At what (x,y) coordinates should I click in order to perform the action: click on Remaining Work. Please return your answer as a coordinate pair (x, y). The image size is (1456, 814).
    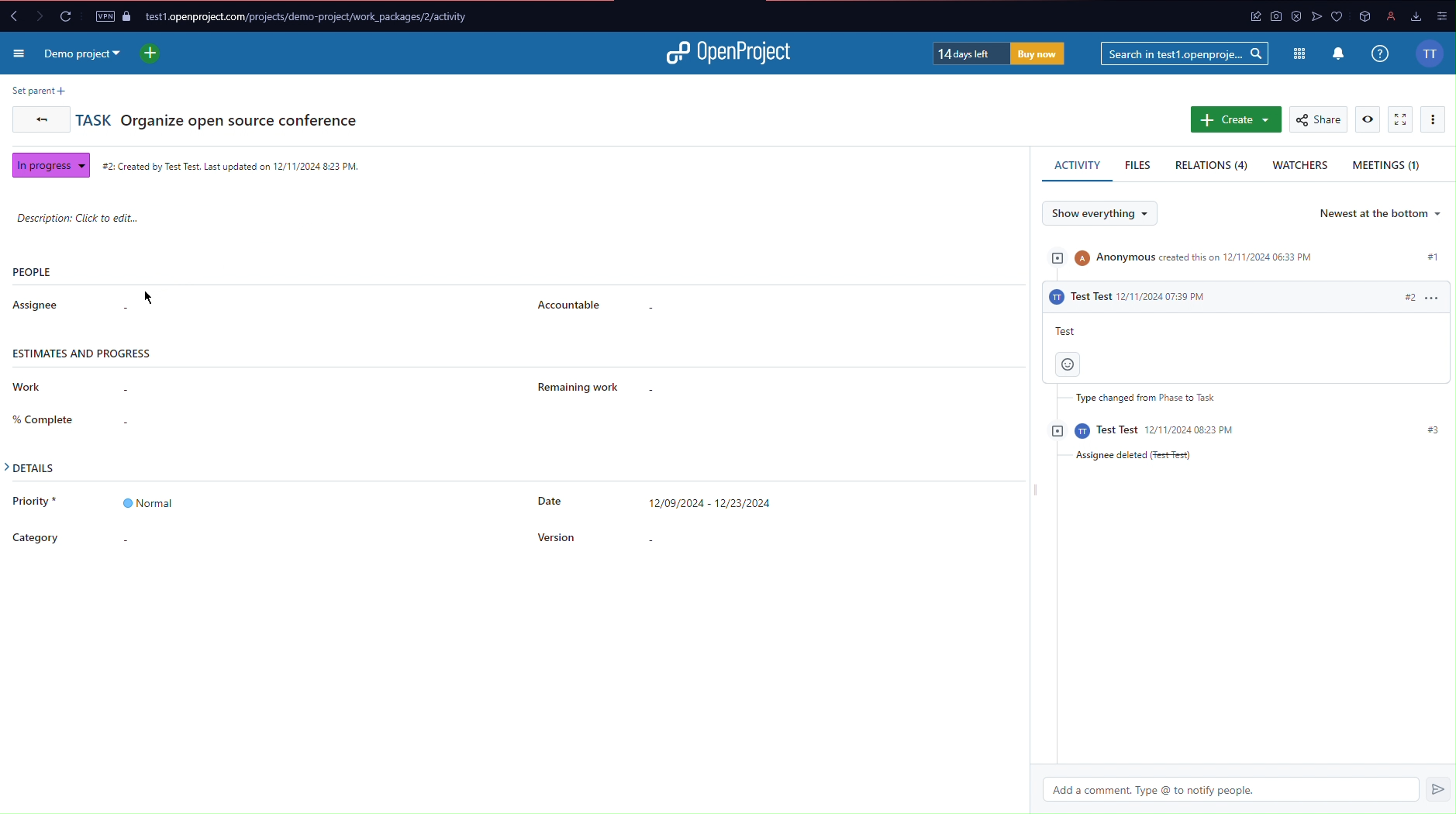
    Looking at the image, I should click on (572, 385).